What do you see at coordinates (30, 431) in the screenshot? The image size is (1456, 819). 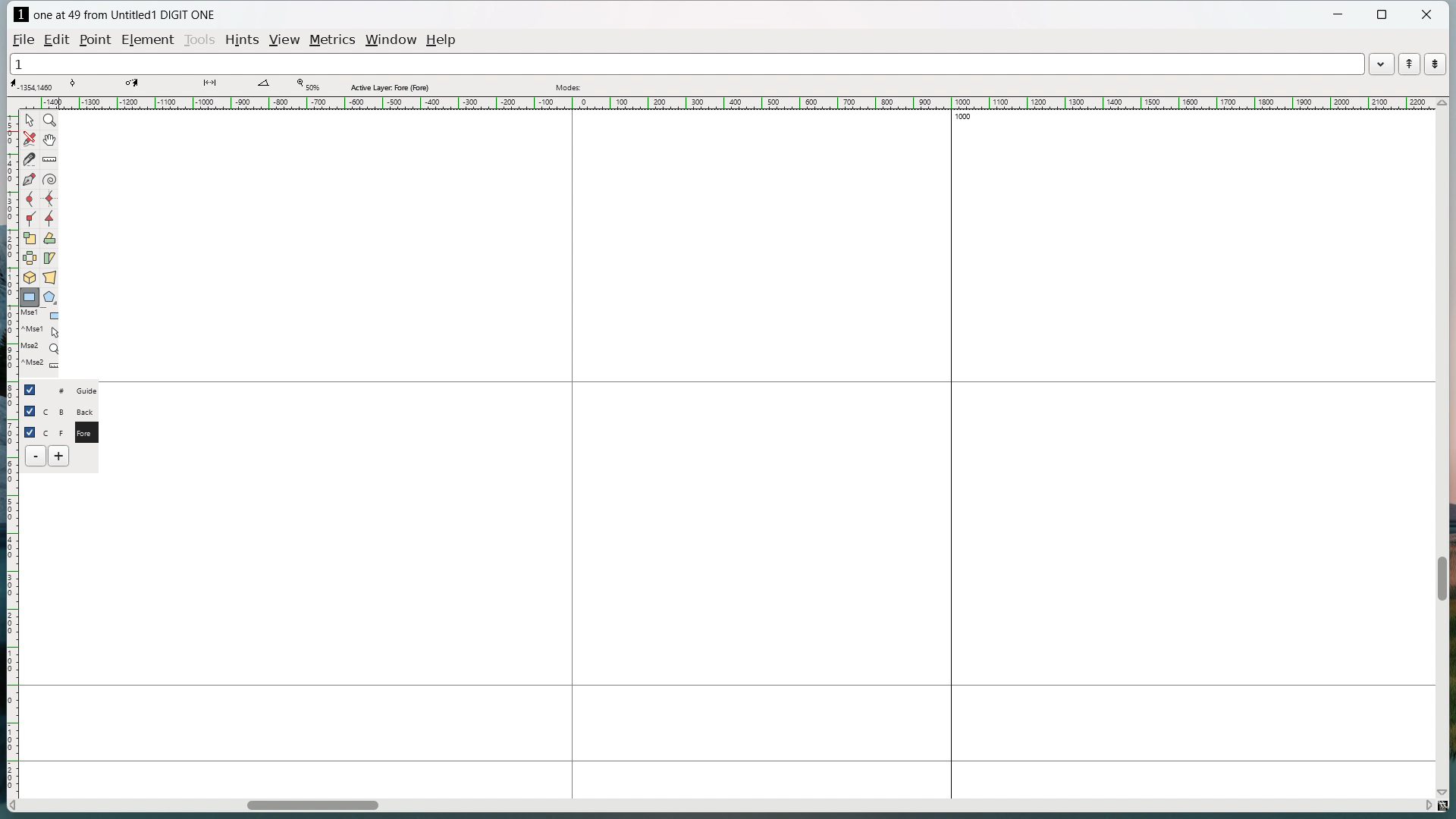 I see `checkbox` at bounding box center [30, 431].